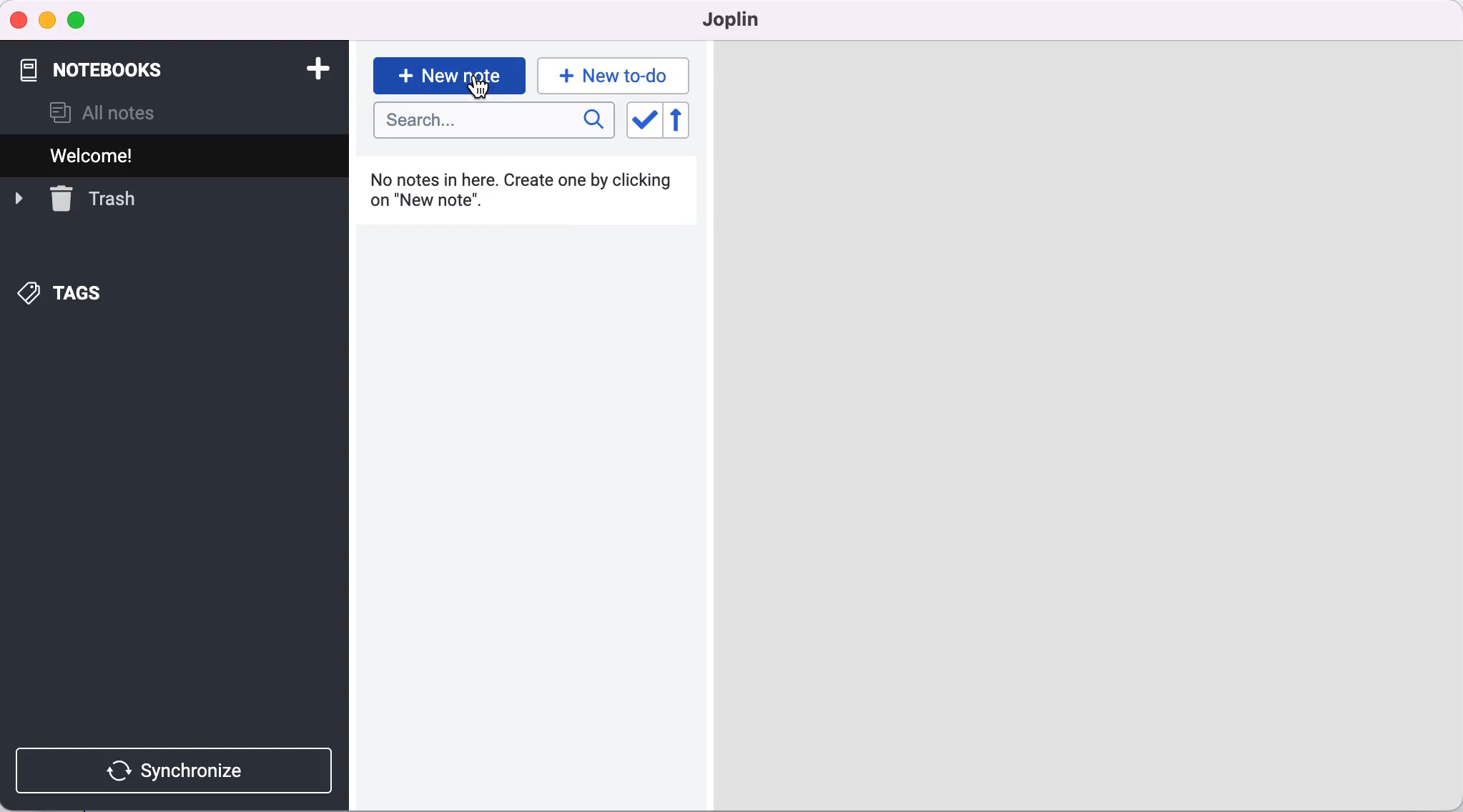  I want to click on No notes in here. Create one by clicking on "New note"., so click(529, 199).